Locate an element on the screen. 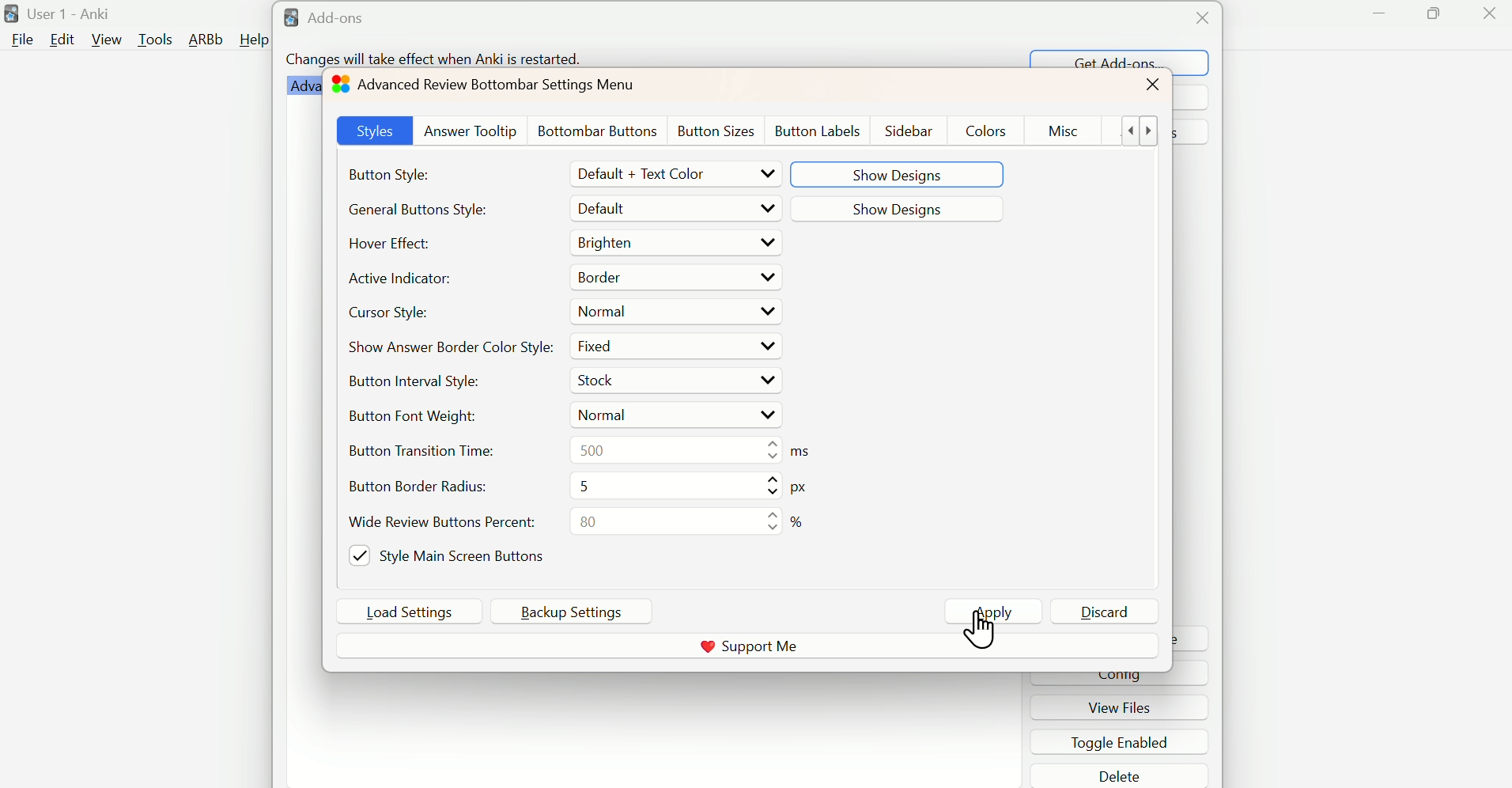 This screenshot has height=788, width=1512. Hover Effect is located at coordinates (393, 241).